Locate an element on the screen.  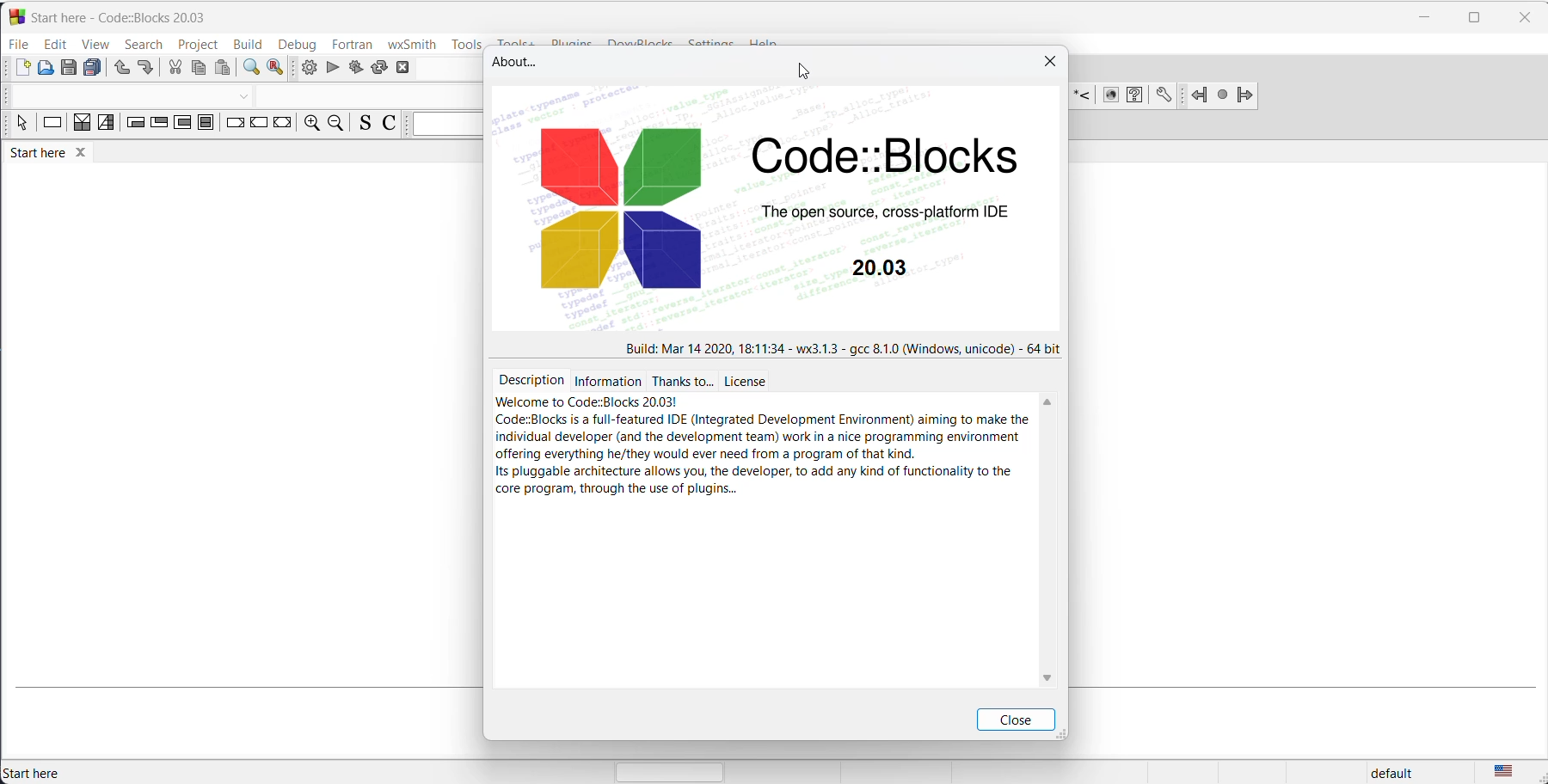
redo is located at coordinates (145, 68).